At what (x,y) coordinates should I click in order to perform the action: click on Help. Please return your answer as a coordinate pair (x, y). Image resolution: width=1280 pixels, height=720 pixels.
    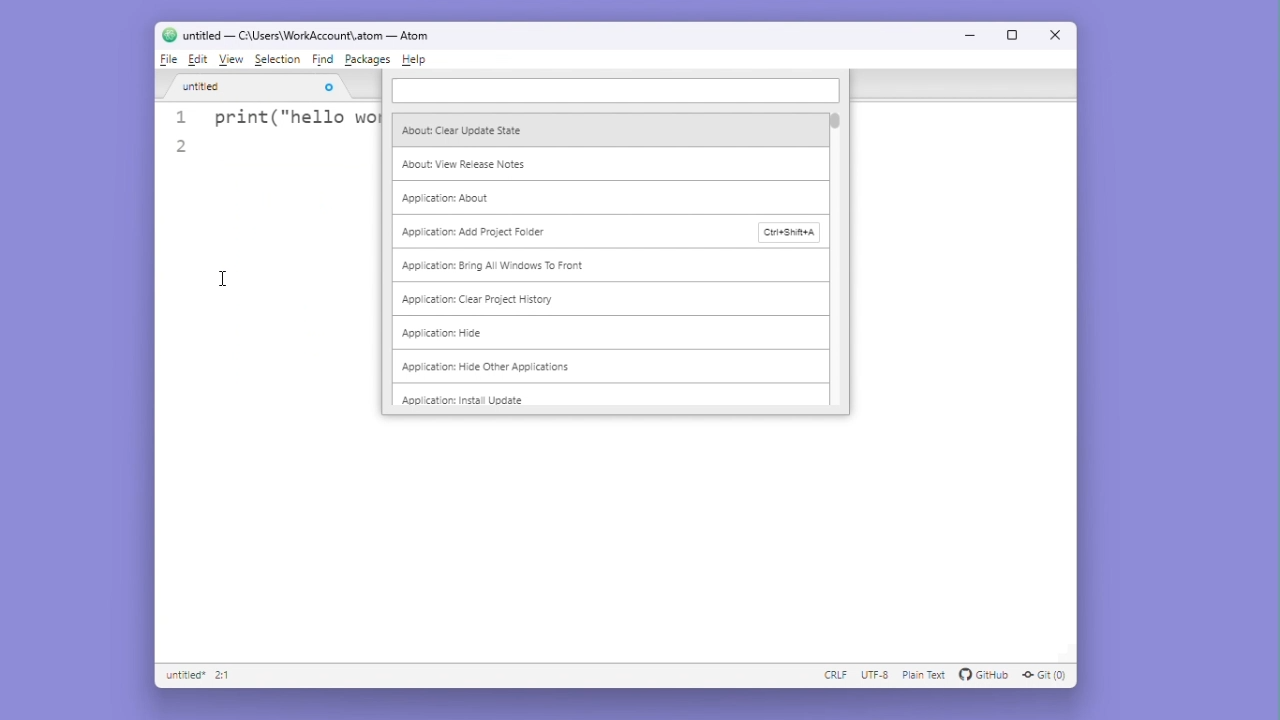
    Looking at the image, I should click on (414, 59).